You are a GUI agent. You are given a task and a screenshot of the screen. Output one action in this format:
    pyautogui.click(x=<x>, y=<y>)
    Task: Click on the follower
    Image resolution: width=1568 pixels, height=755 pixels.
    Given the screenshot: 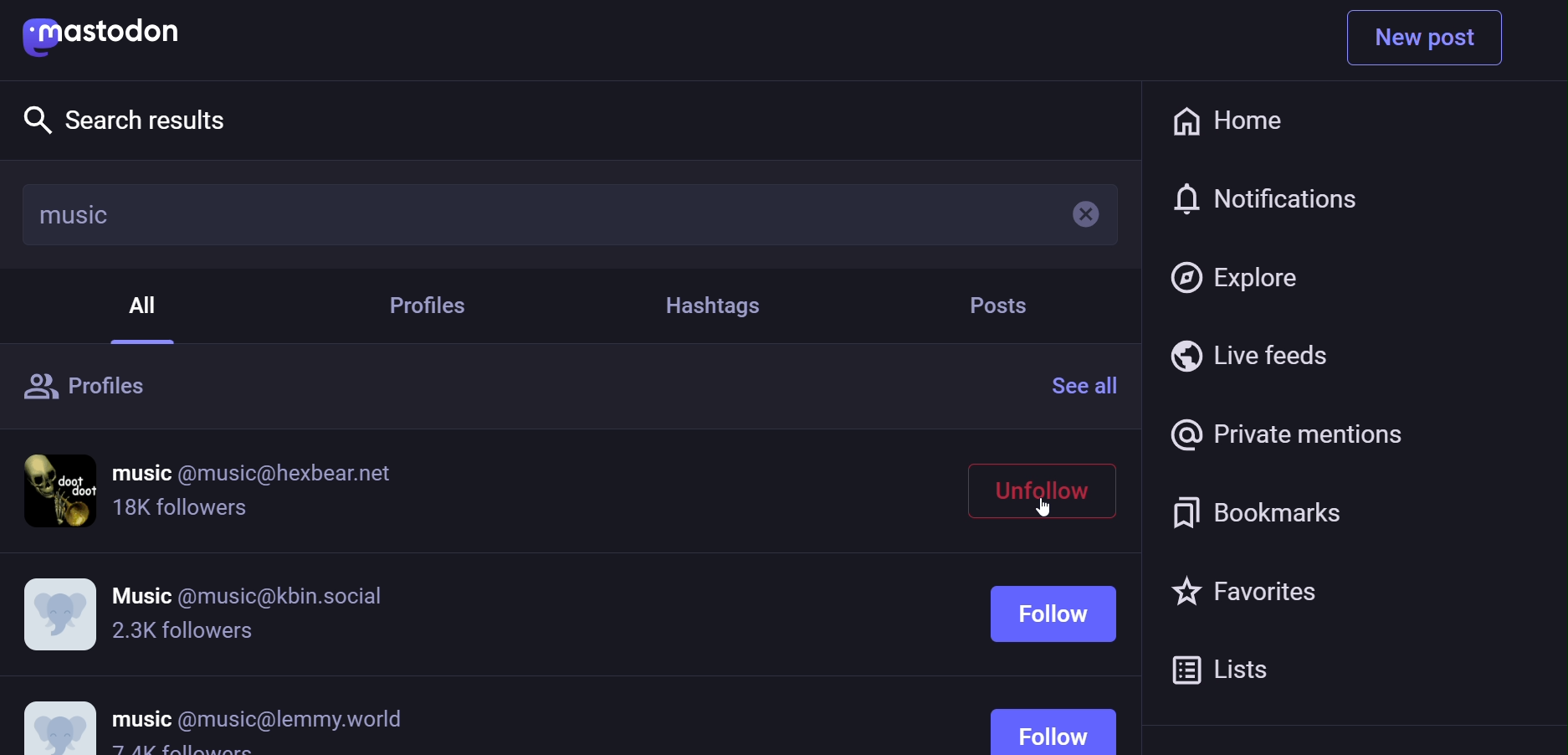 What is the action you would take?
    pyautogui.click(x=184, y=751)
    